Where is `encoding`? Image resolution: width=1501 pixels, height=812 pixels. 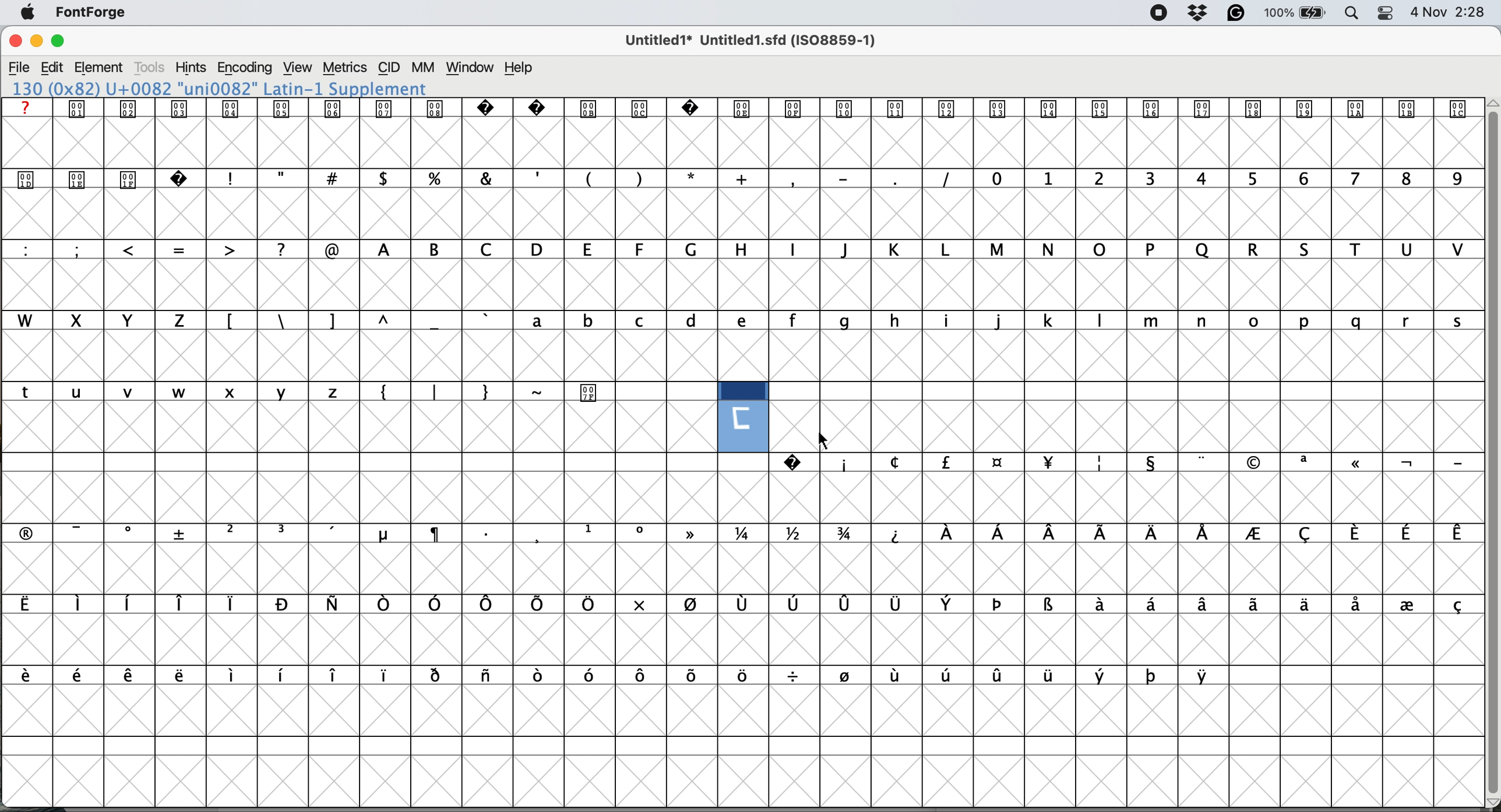 encoding is located at coordinates (246, 68).